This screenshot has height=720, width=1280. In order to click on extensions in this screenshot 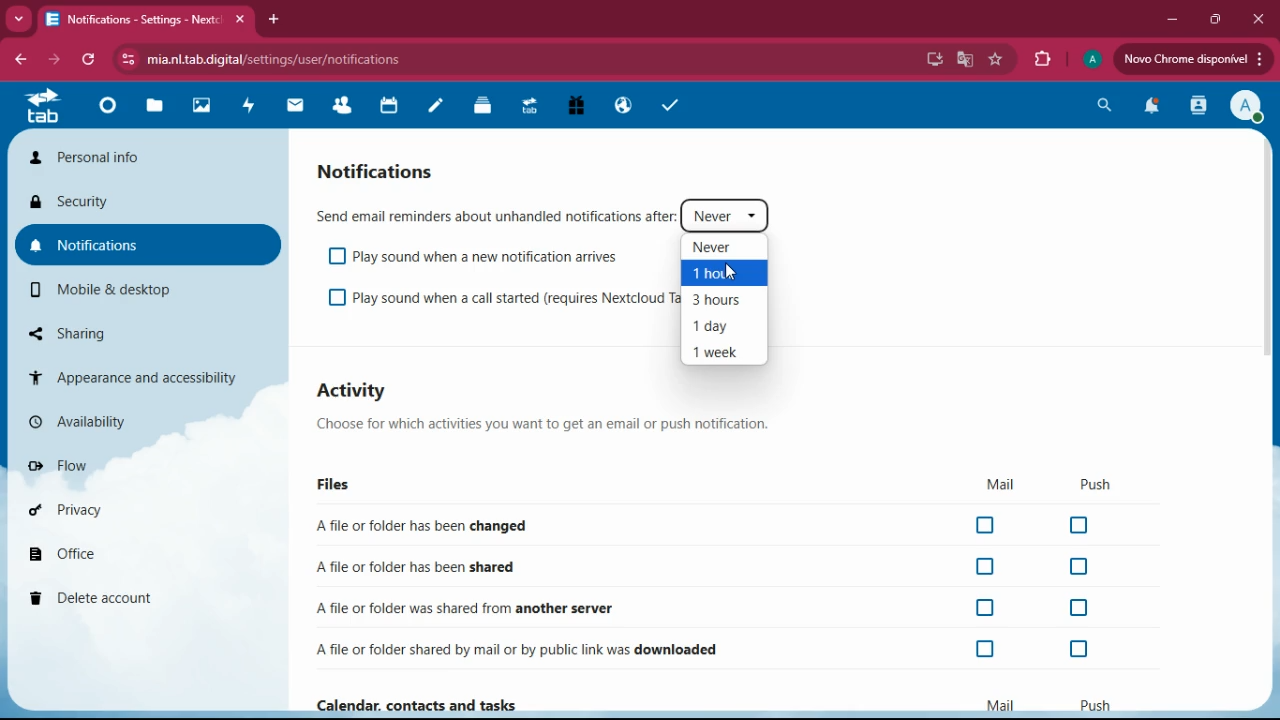, I will do `click(1041, 60)`.